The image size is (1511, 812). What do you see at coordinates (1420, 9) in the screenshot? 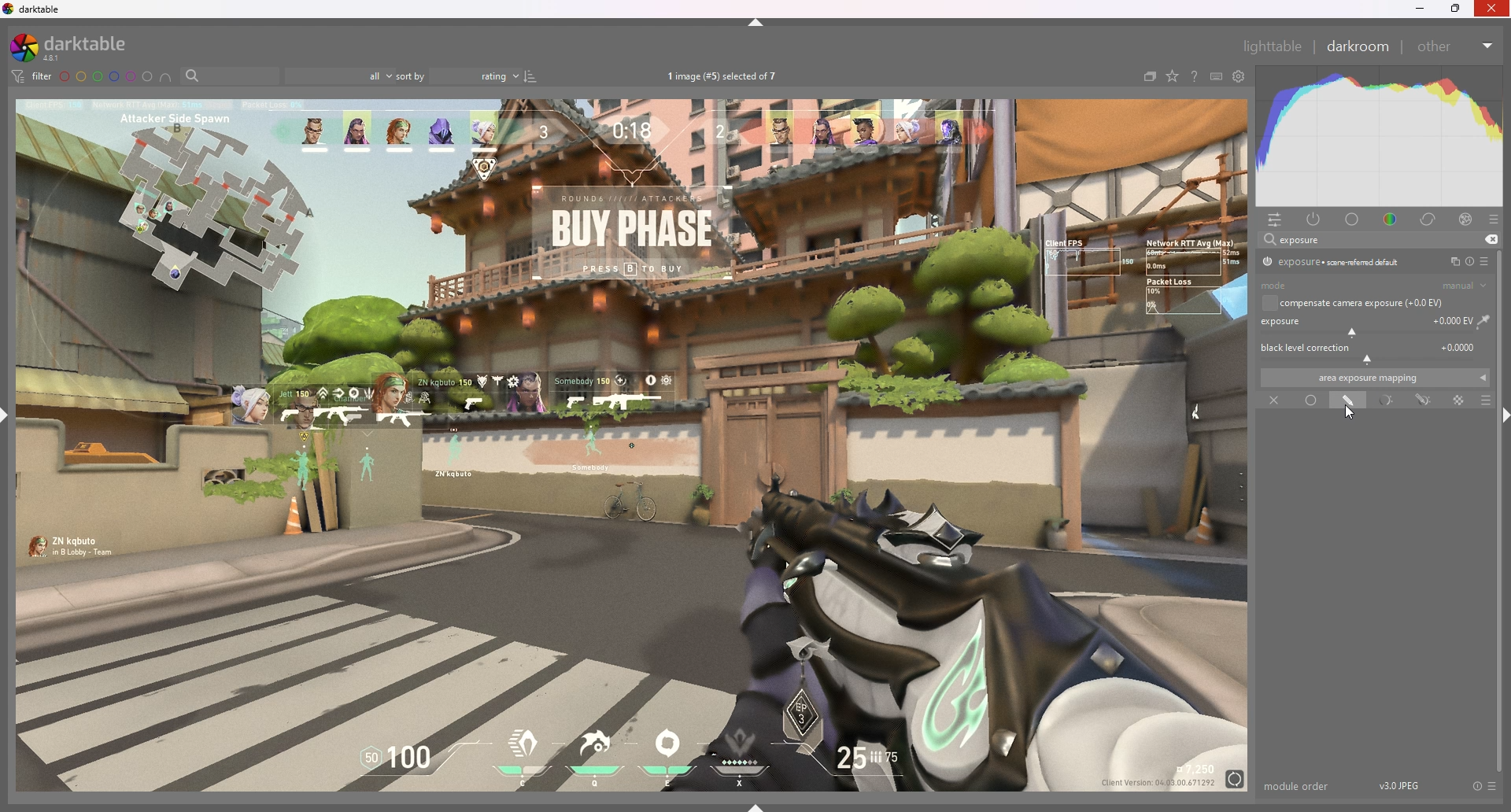
I see `minimize` at bounding box center [1420, 9].